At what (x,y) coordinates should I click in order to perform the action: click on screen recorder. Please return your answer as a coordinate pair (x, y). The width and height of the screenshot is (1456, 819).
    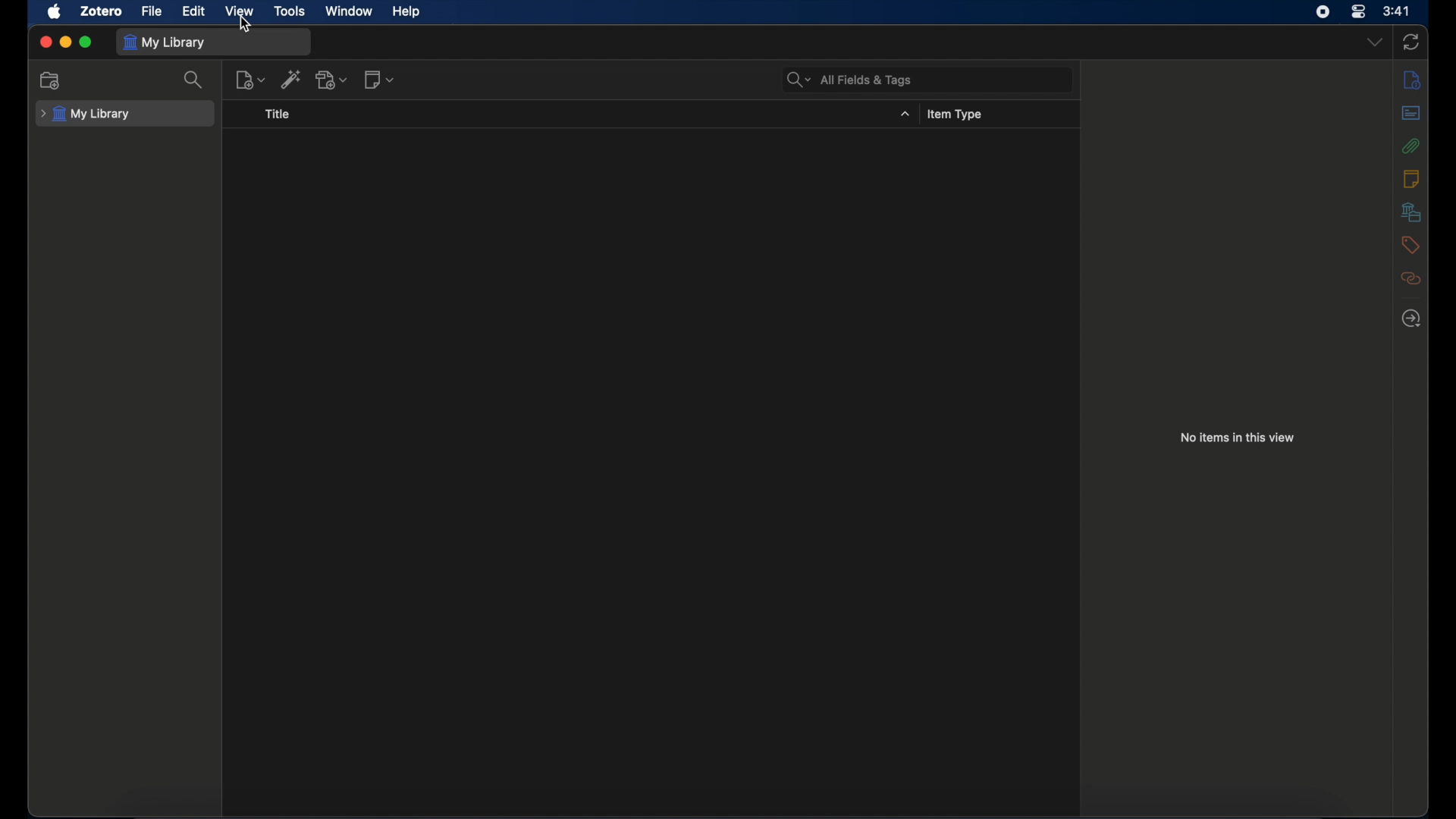
    Looking at the image, I should click on (1323, 12).